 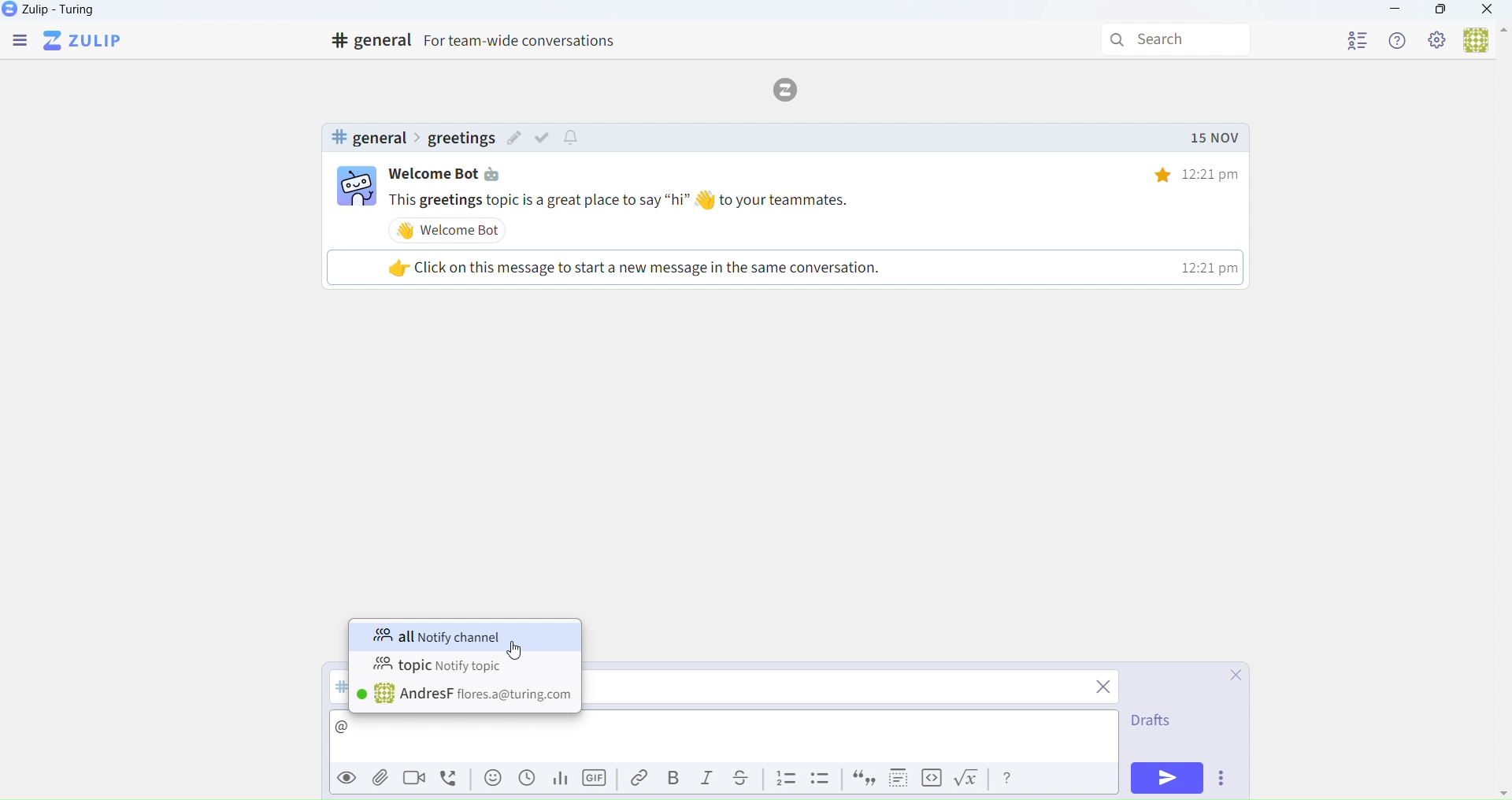 What do you see at coordinates (573, 139) in the screenshot?
I see `notify` at bounding box center [573, 139].